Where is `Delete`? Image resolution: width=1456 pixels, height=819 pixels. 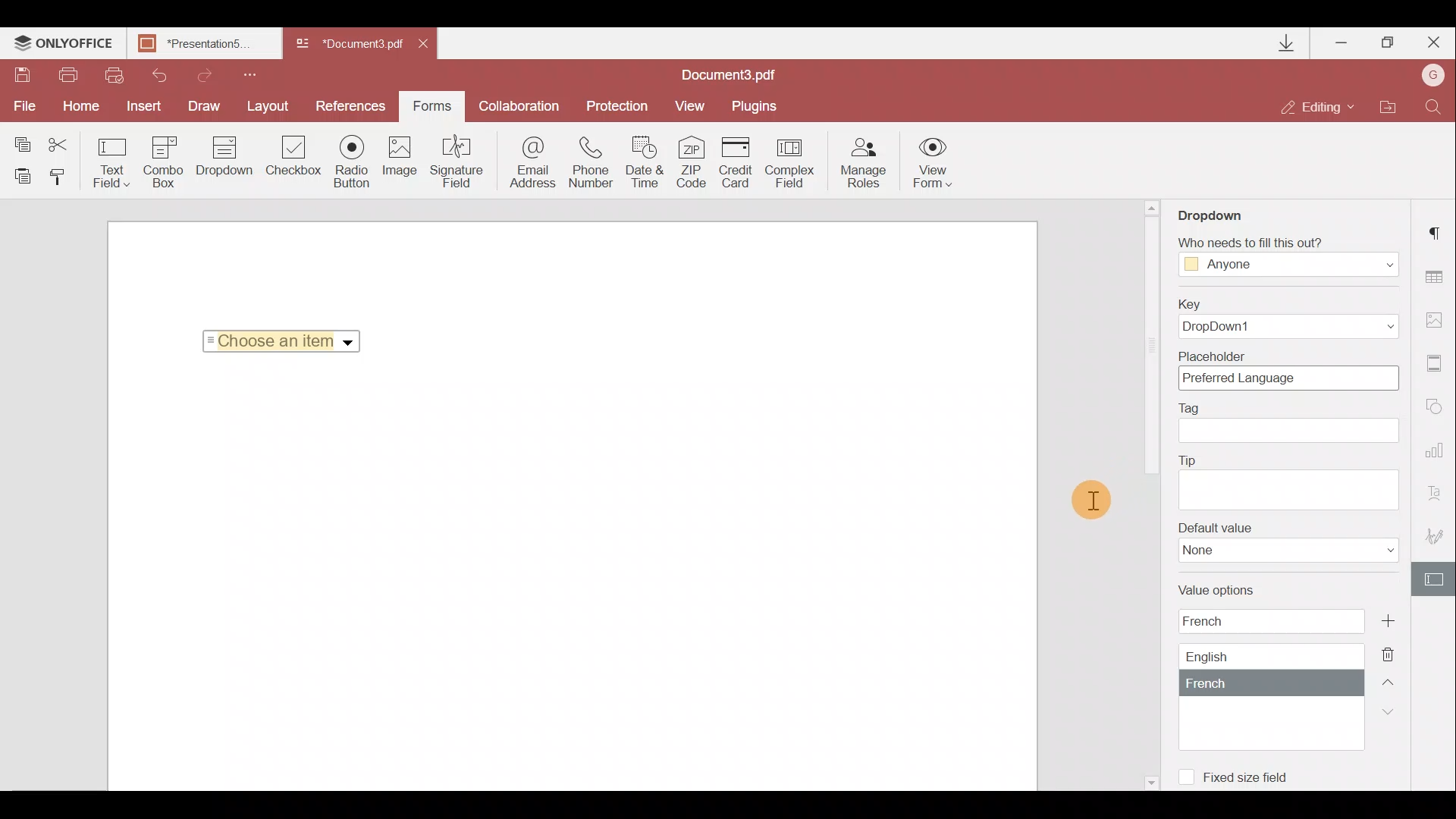 Delete is located at coordinates (1397, 653).